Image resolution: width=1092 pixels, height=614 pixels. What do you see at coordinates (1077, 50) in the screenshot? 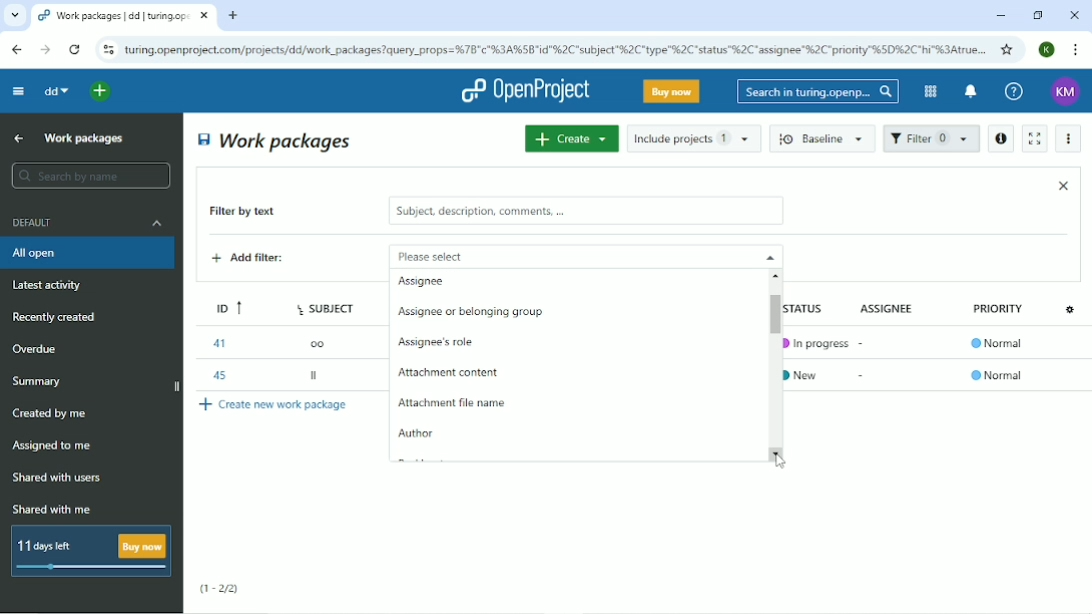
I see `Customize and control google chrome` at bounding box center [1077, 50].